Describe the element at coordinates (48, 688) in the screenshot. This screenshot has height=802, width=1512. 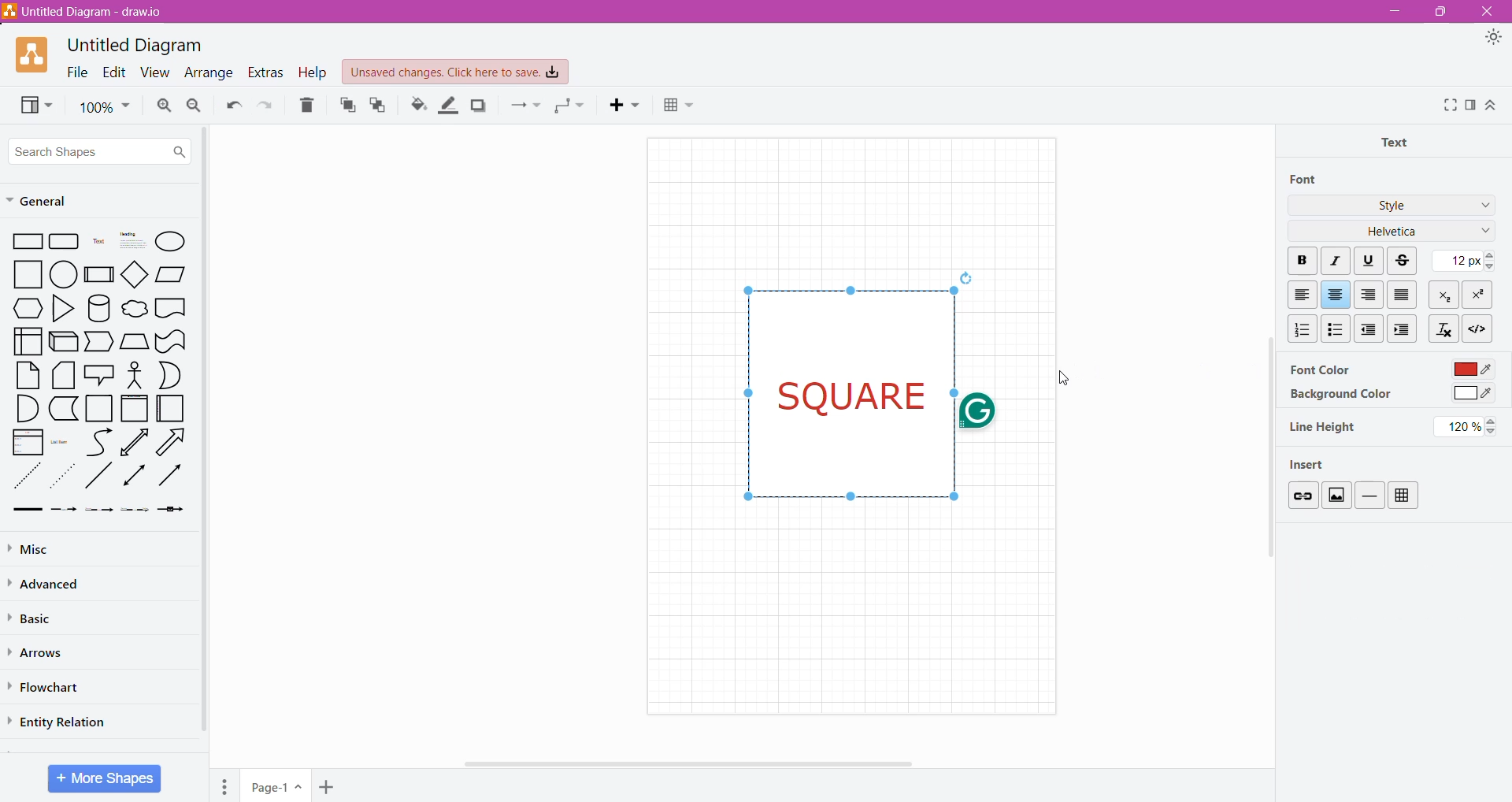
I see `Flowchart` at that location.